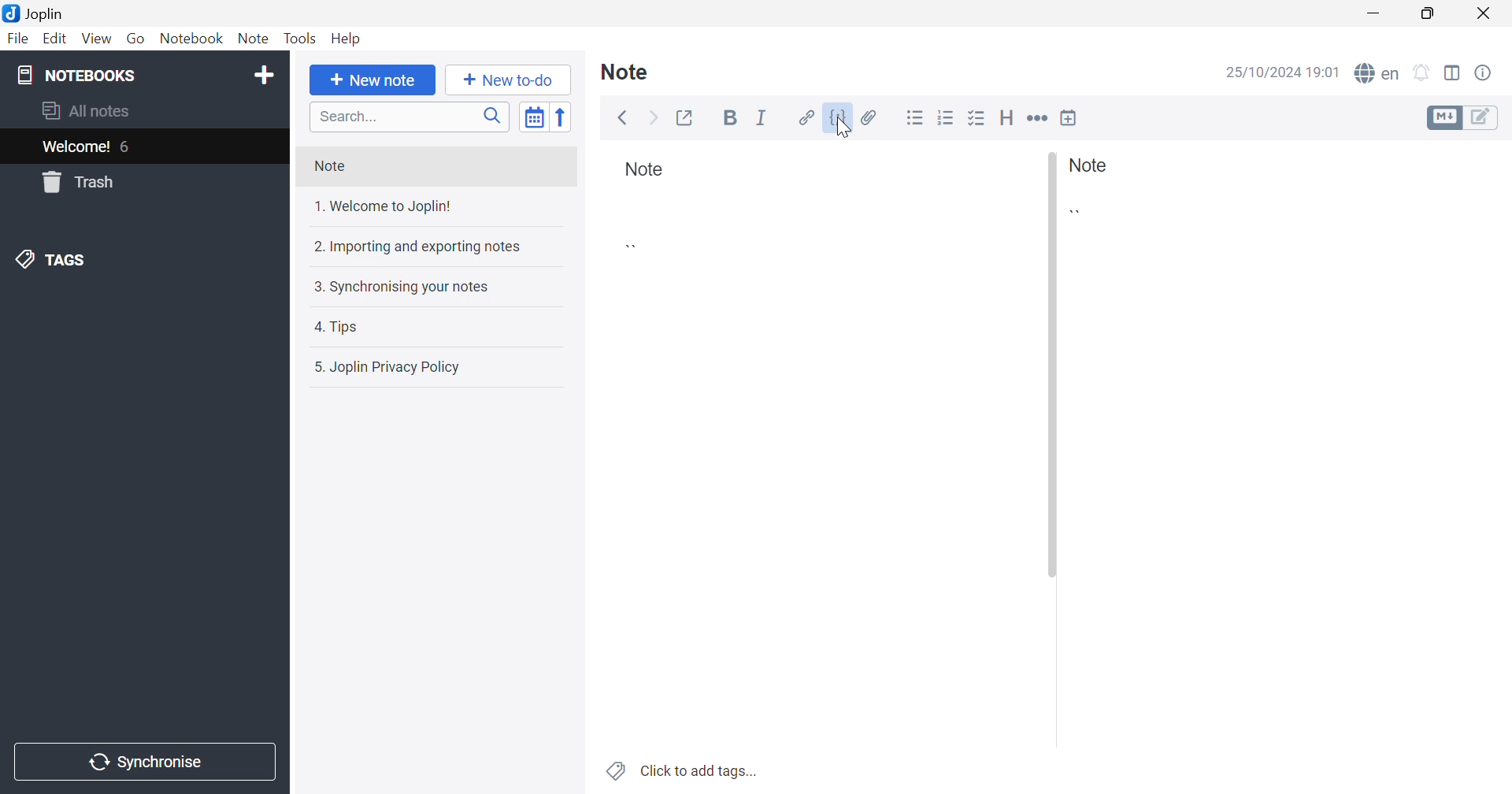 The width and height of the screenshot is (1512, 794). What do you see at coordinates (1488, 13) in the screenshot?
I see `Close` at bounding box center [1488, 13].